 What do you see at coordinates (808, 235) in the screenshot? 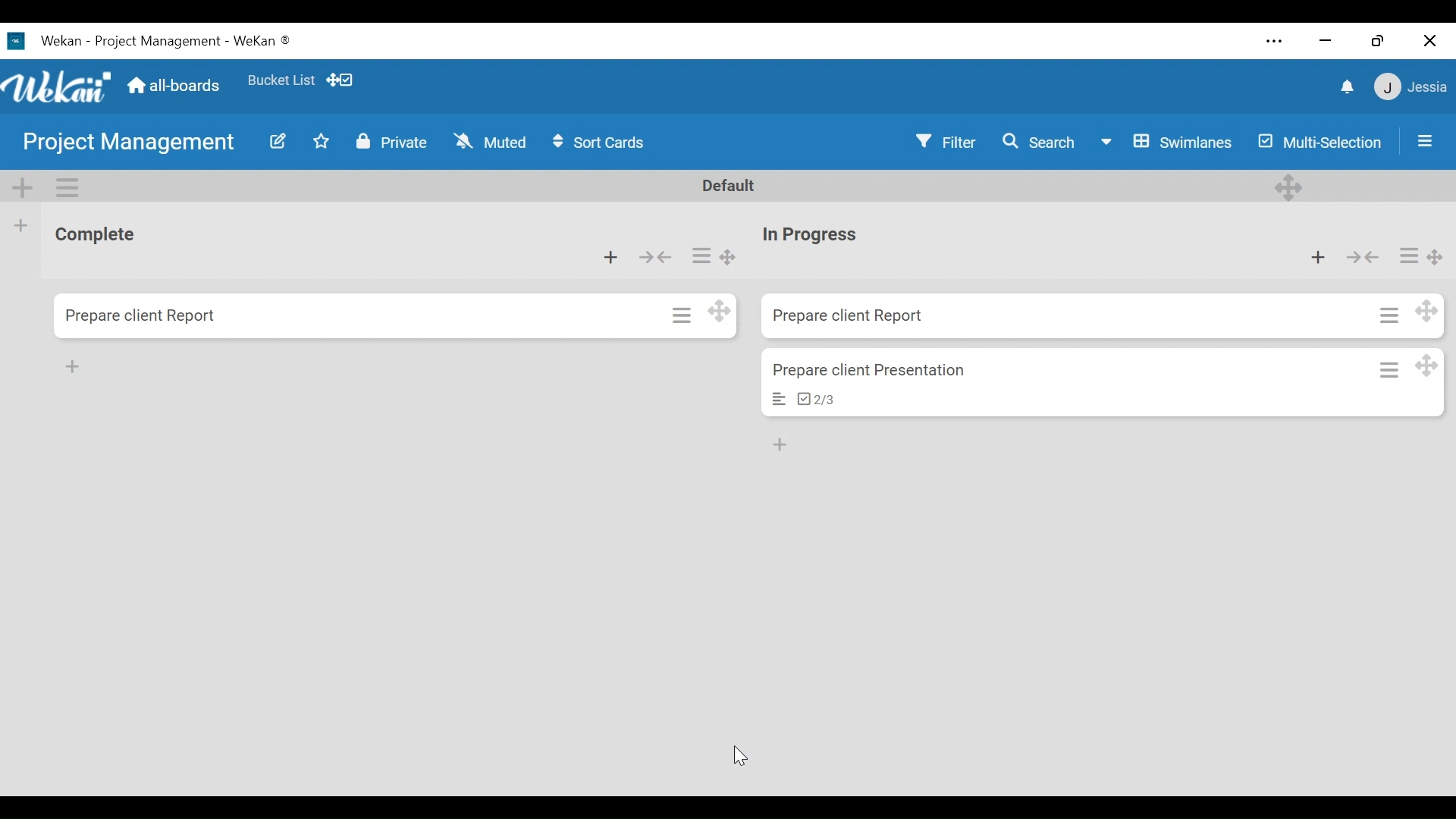
I see `Card Title` at bounding box center [808, 235].